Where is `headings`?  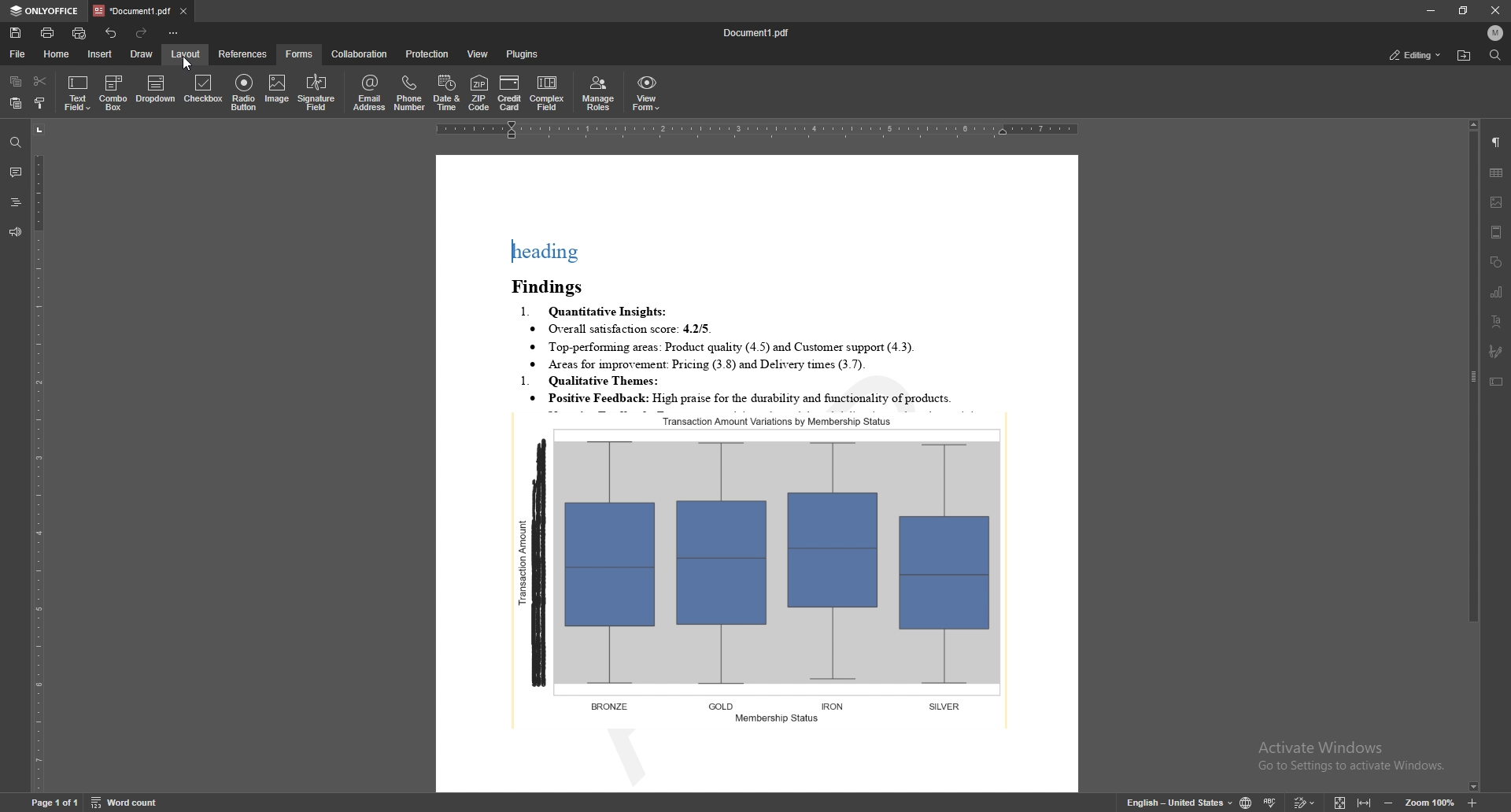 headings is located at coordinates (15, 201).